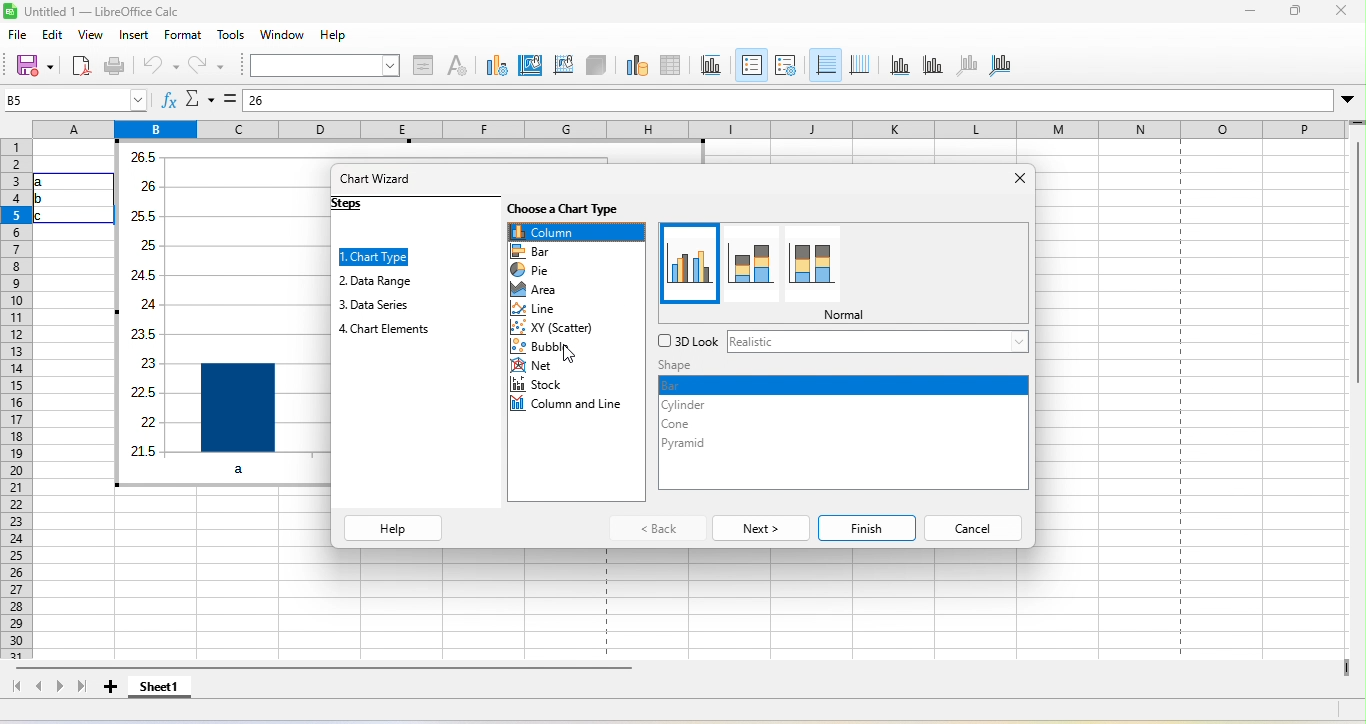 This screenshot has height=724, width=1366. I want to click on chart wall, so click(562, 64).